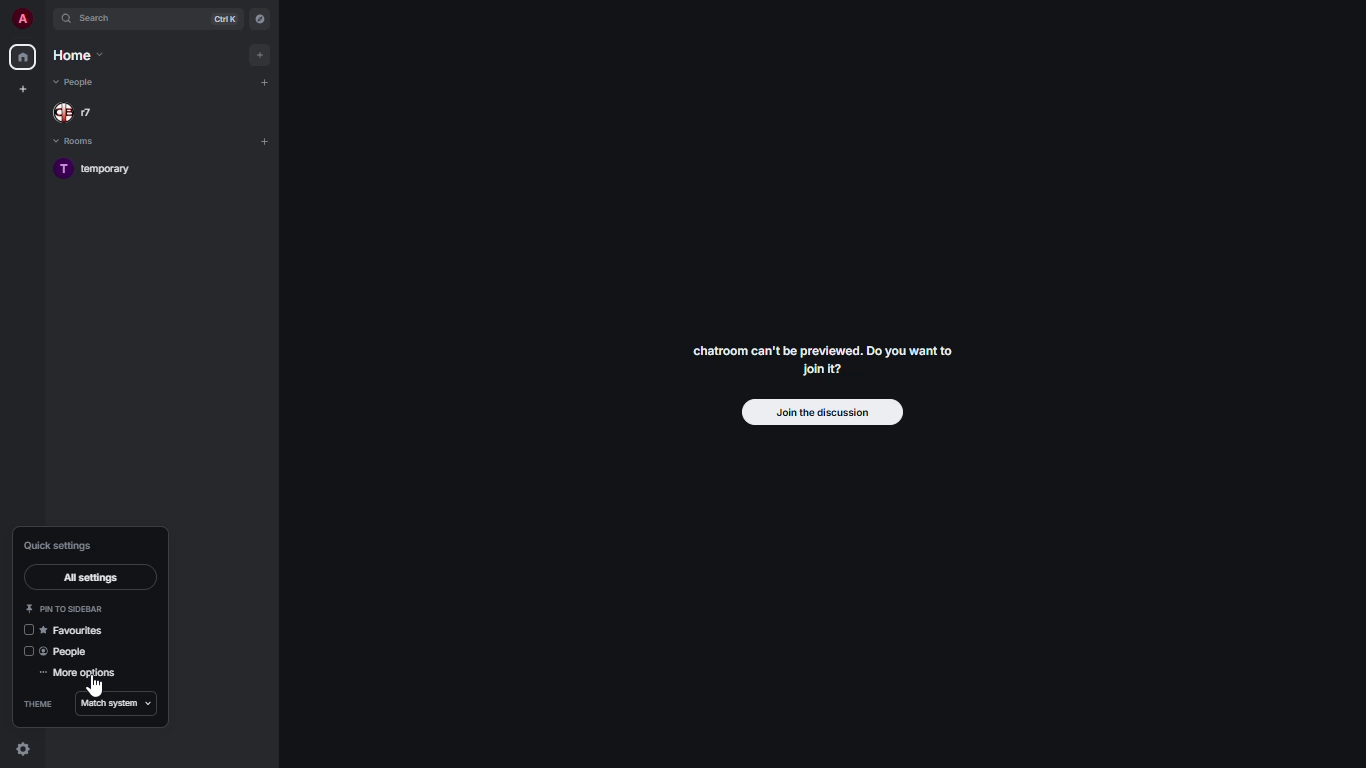 This screenshot has height=768, width=1366. What do you see at coordinates (22, 57) in the screenshot?
I see `home` at bounding box center [22, 57].